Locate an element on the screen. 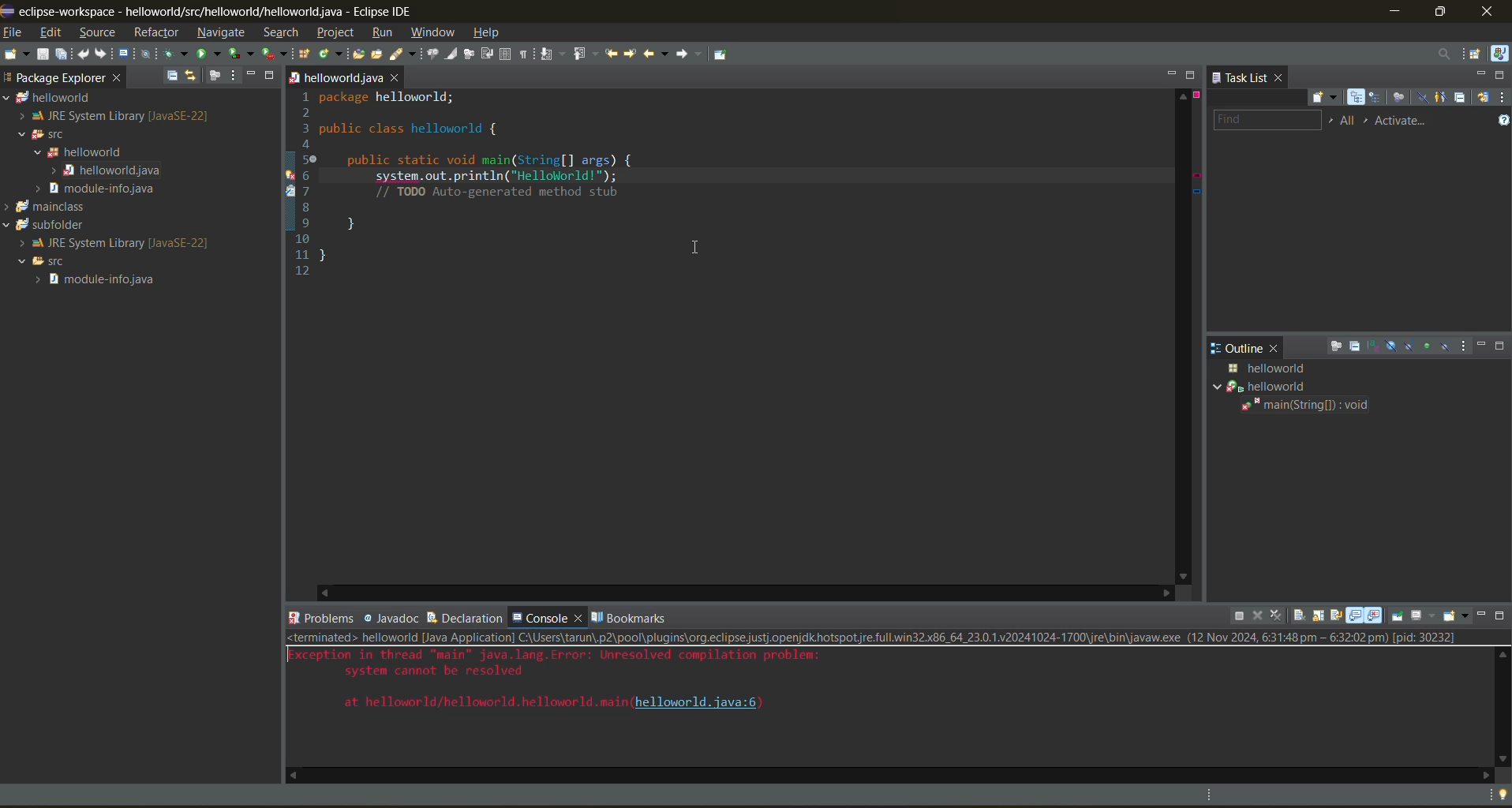 Image resolution: width=1512 pixels, height=808 pixels. show whitespace characters is located at coordinates (523, 56).